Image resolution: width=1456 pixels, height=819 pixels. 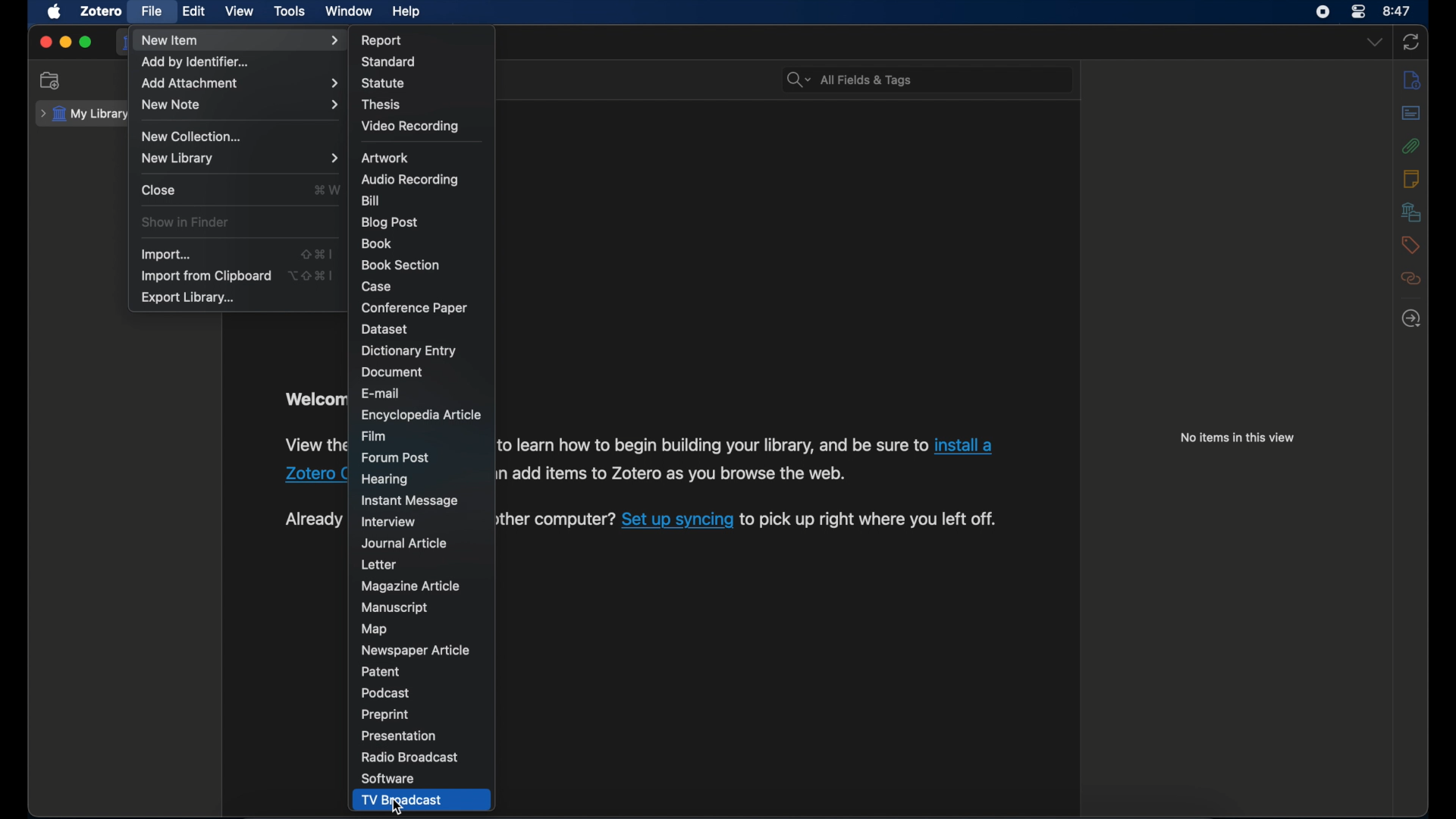 What do you see at coordinates (384, 714) in the screenshot?
I see `preprint` at bounding box center [384, 714].